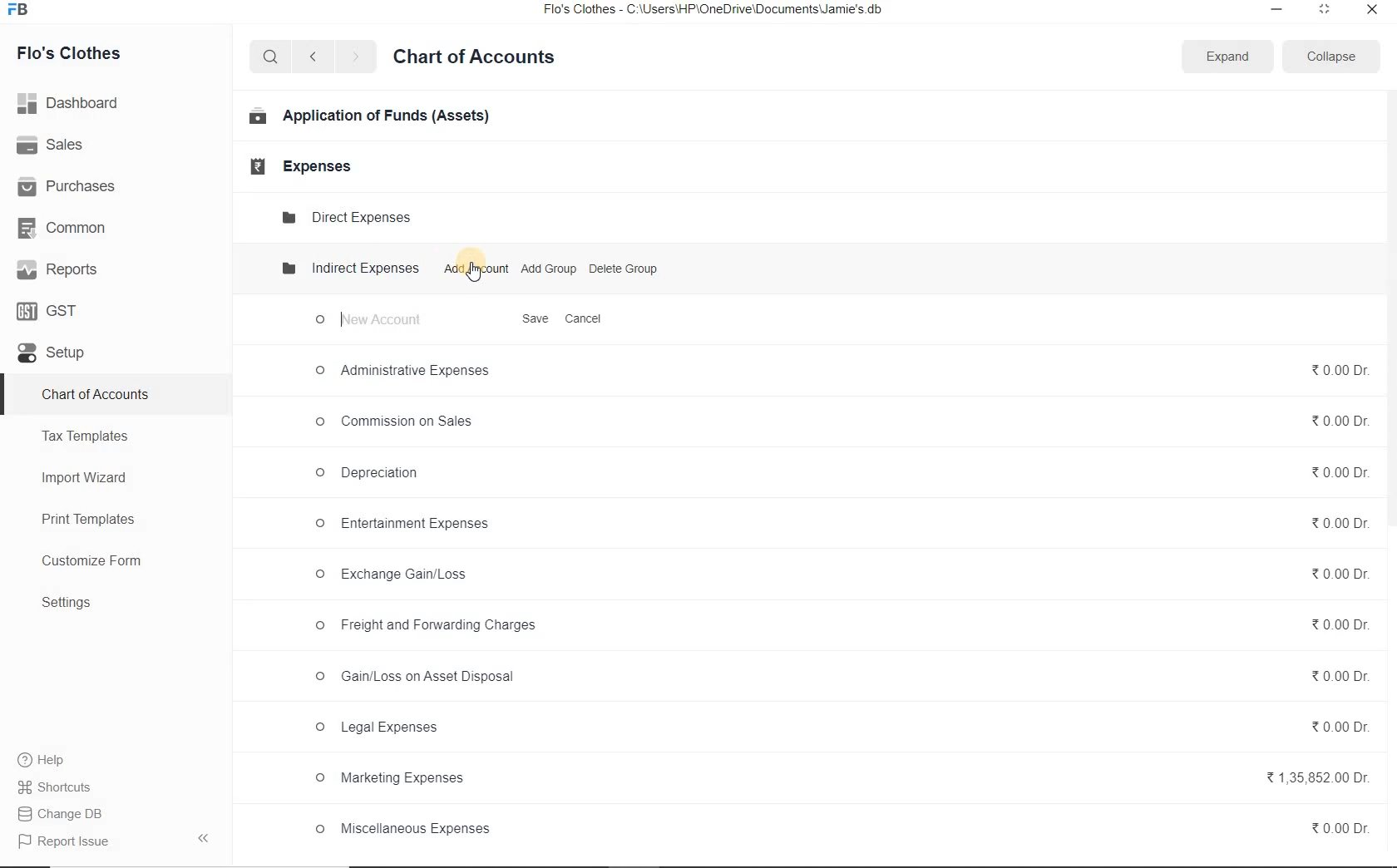 Image resolution: width=1397 pixels, height=868 pixels. Describe the element at coordinates (841, 729) in the screenshot. I see `© Legal Expenses 0.00 Dr.` at that location.